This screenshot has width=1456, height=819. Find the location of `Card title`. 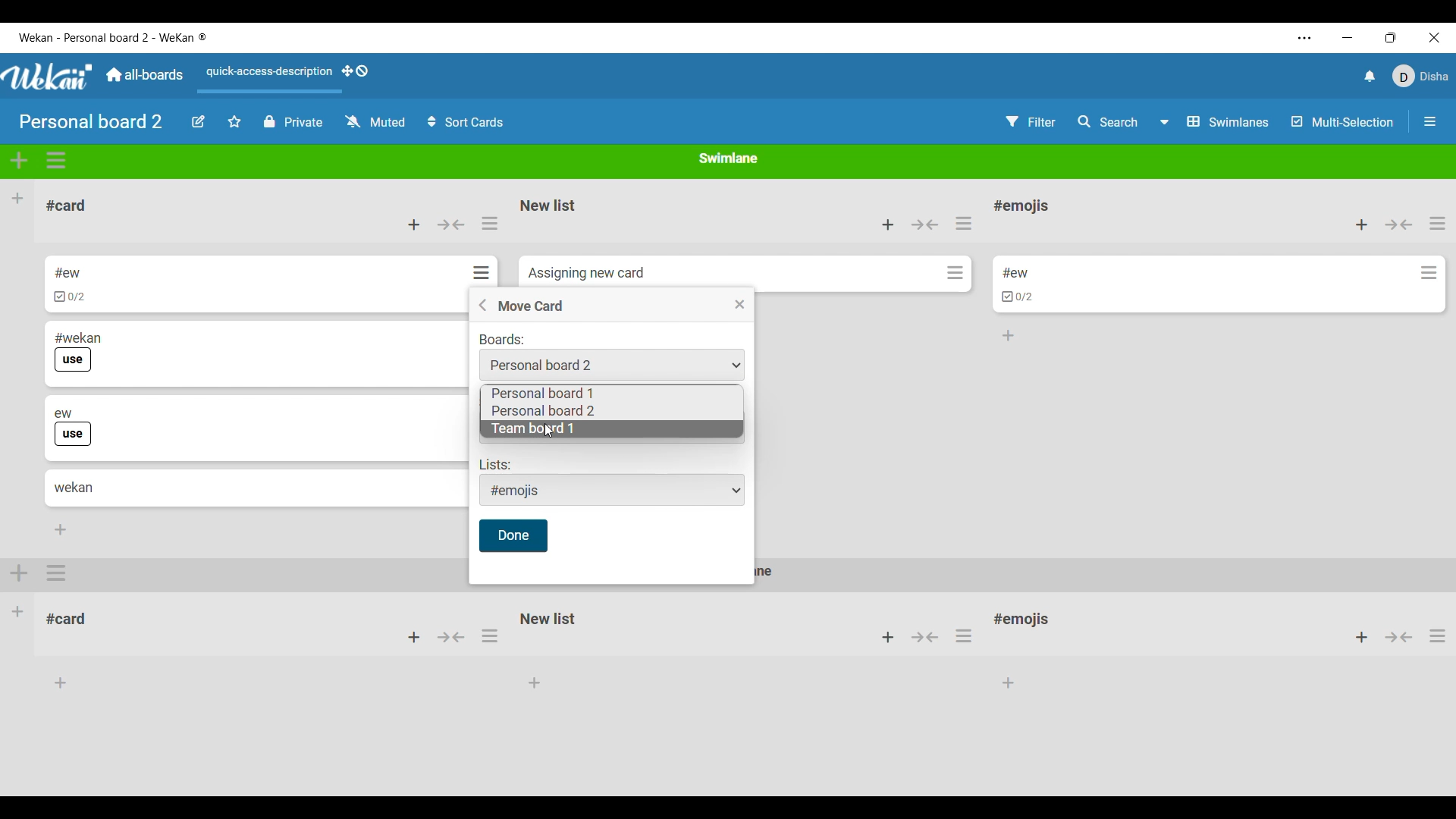

Card title is located at coordinates (74, 488).